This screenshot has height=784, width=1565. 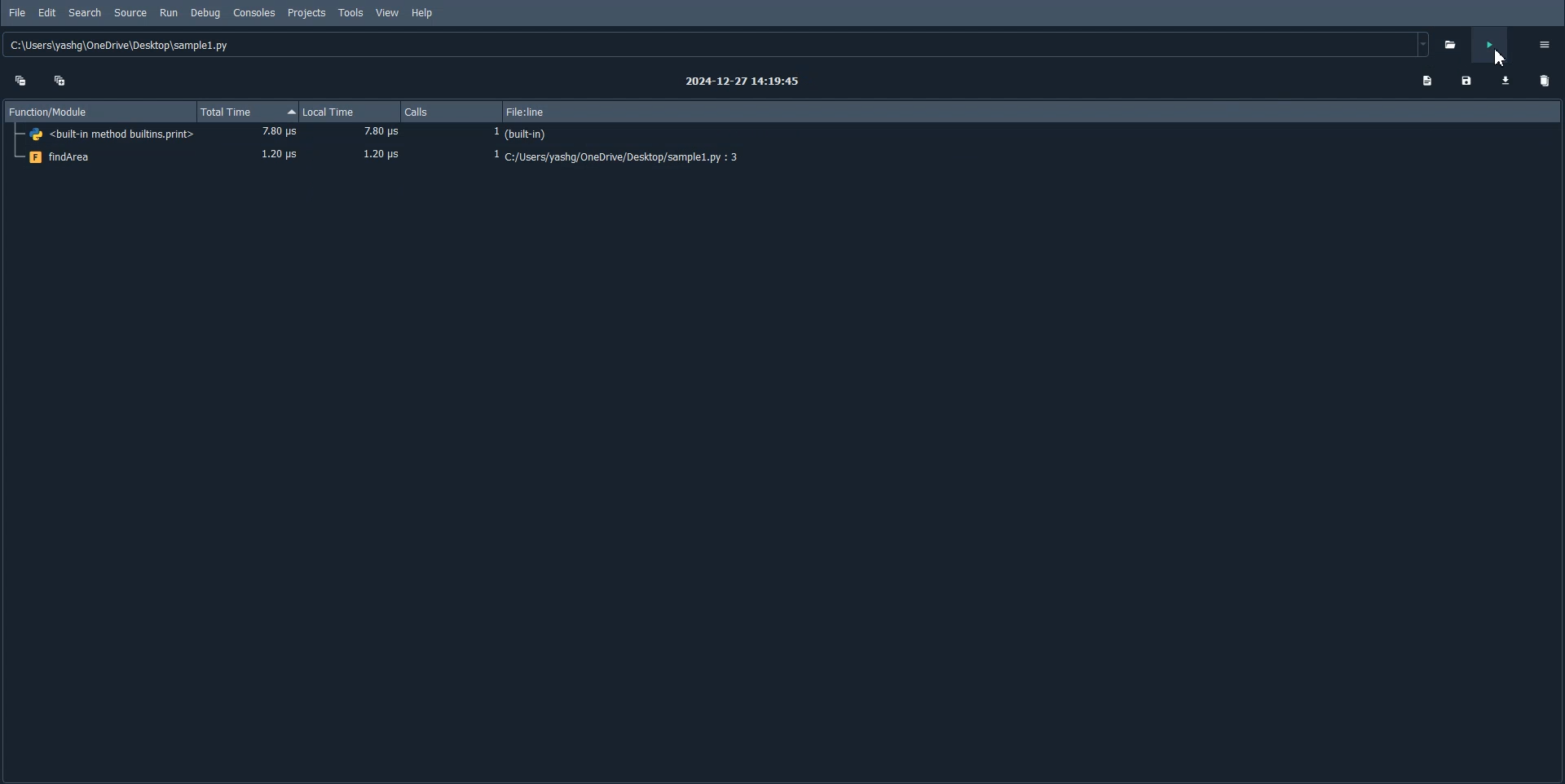 I want to click on File, so click(x=18, y=13).